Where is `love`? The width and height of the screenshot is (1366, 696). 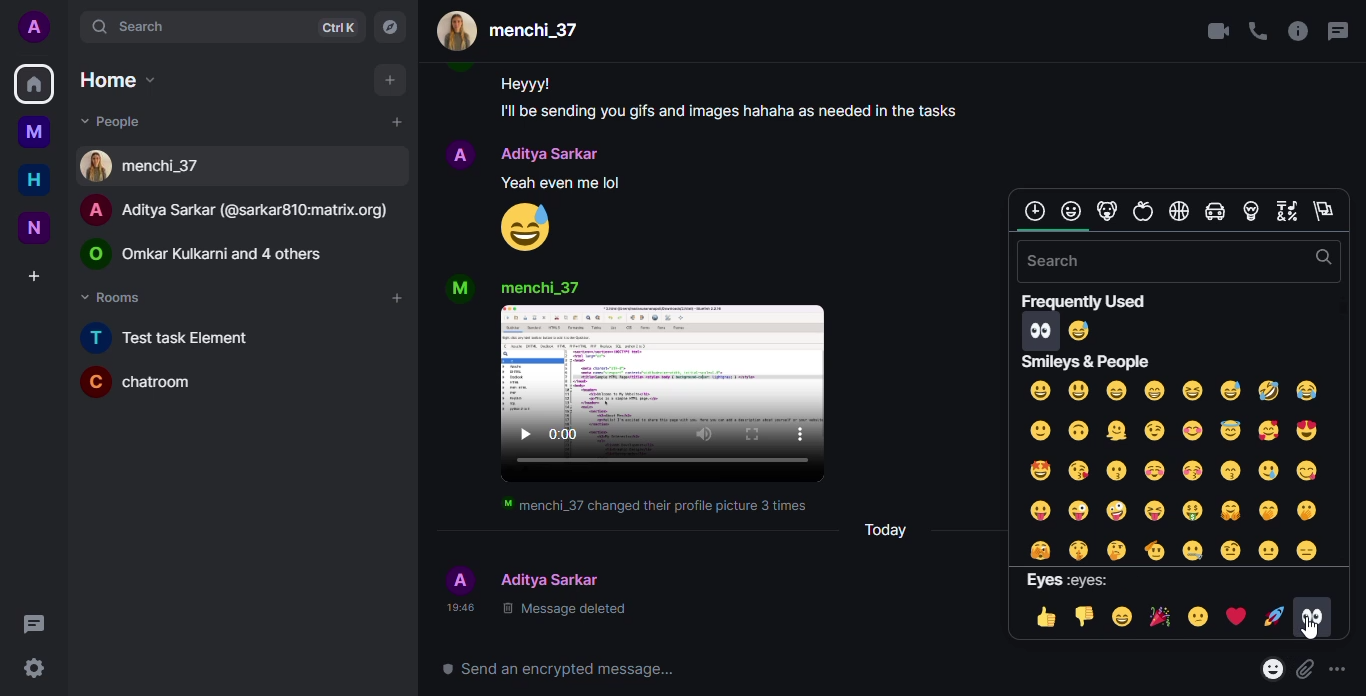 love is located at coordinates (1234, 617).